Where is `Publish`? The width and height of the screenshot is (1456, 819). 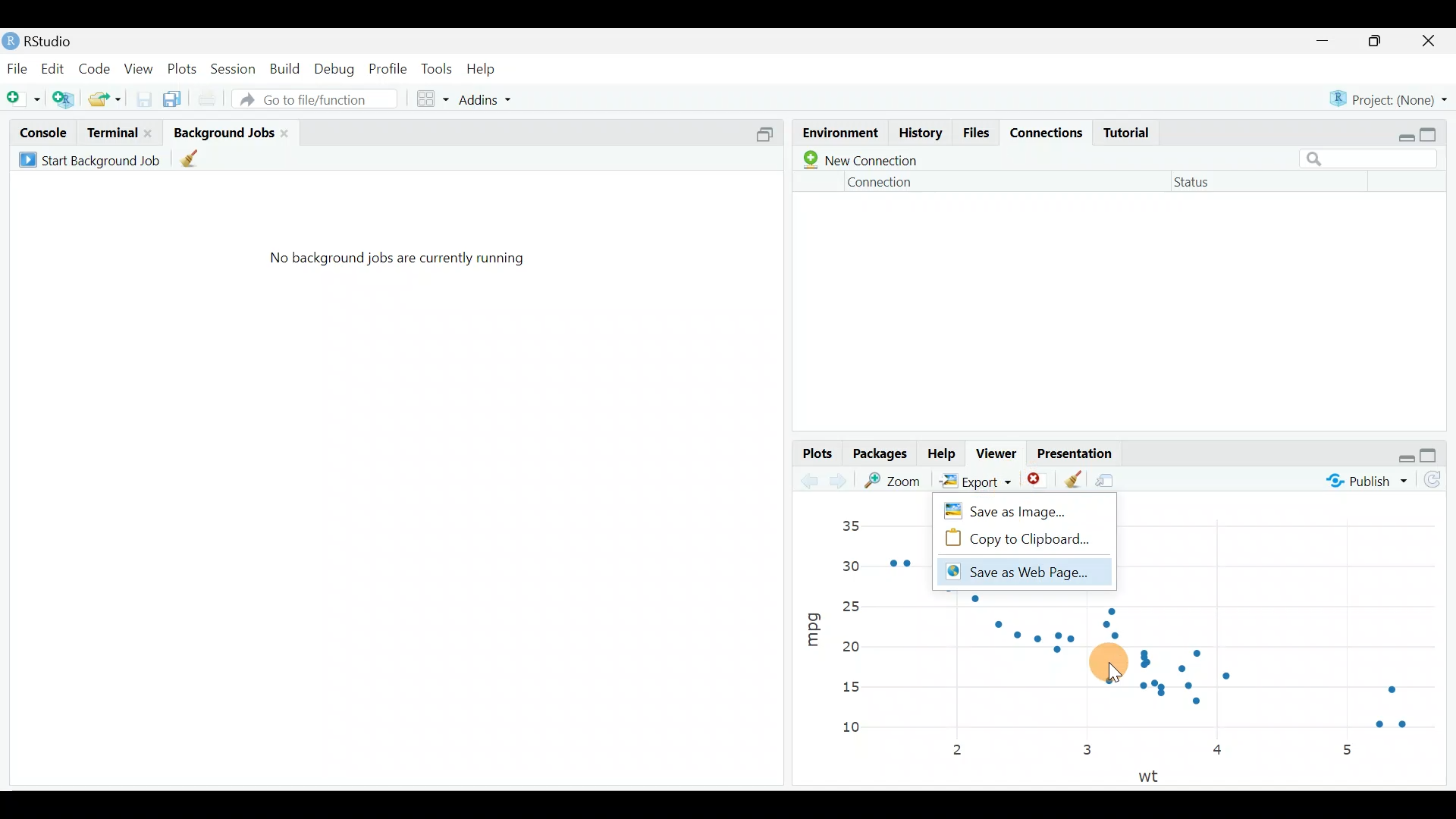
Publish is located at coordinates (1365, 484).